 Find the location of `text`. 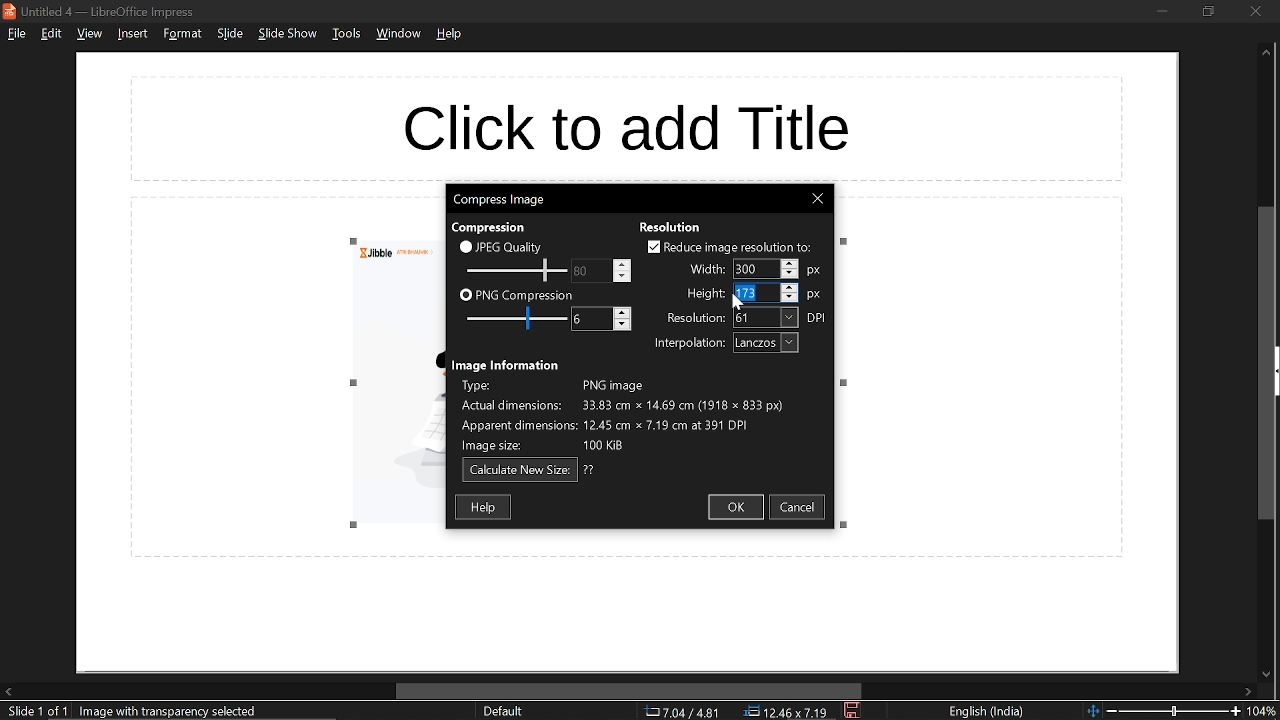

text is located at coordinates (590, 470).